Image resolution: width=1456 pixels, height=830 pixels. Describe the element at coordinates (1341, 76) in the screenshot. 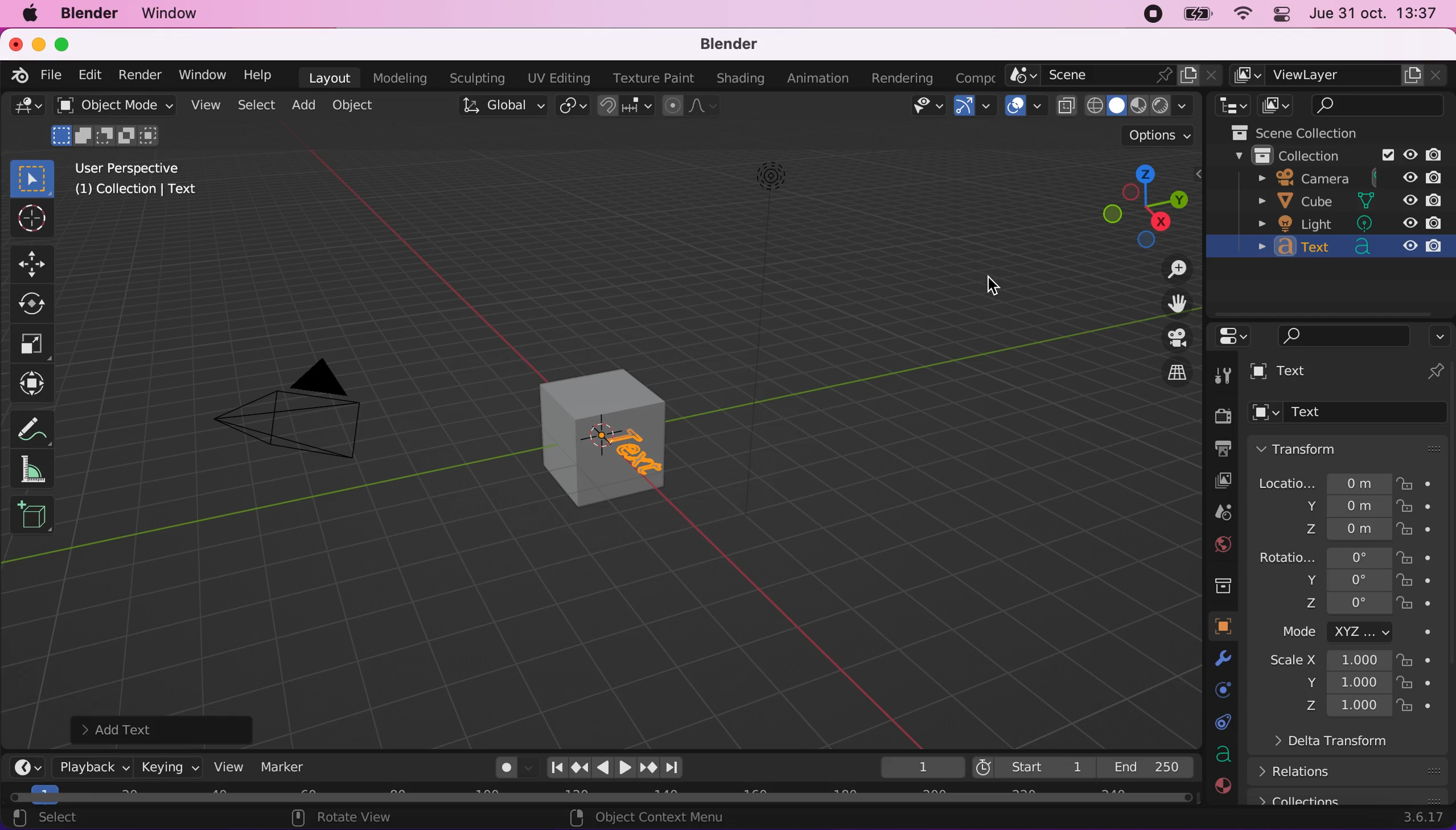

I see `viewlayer` at that location.